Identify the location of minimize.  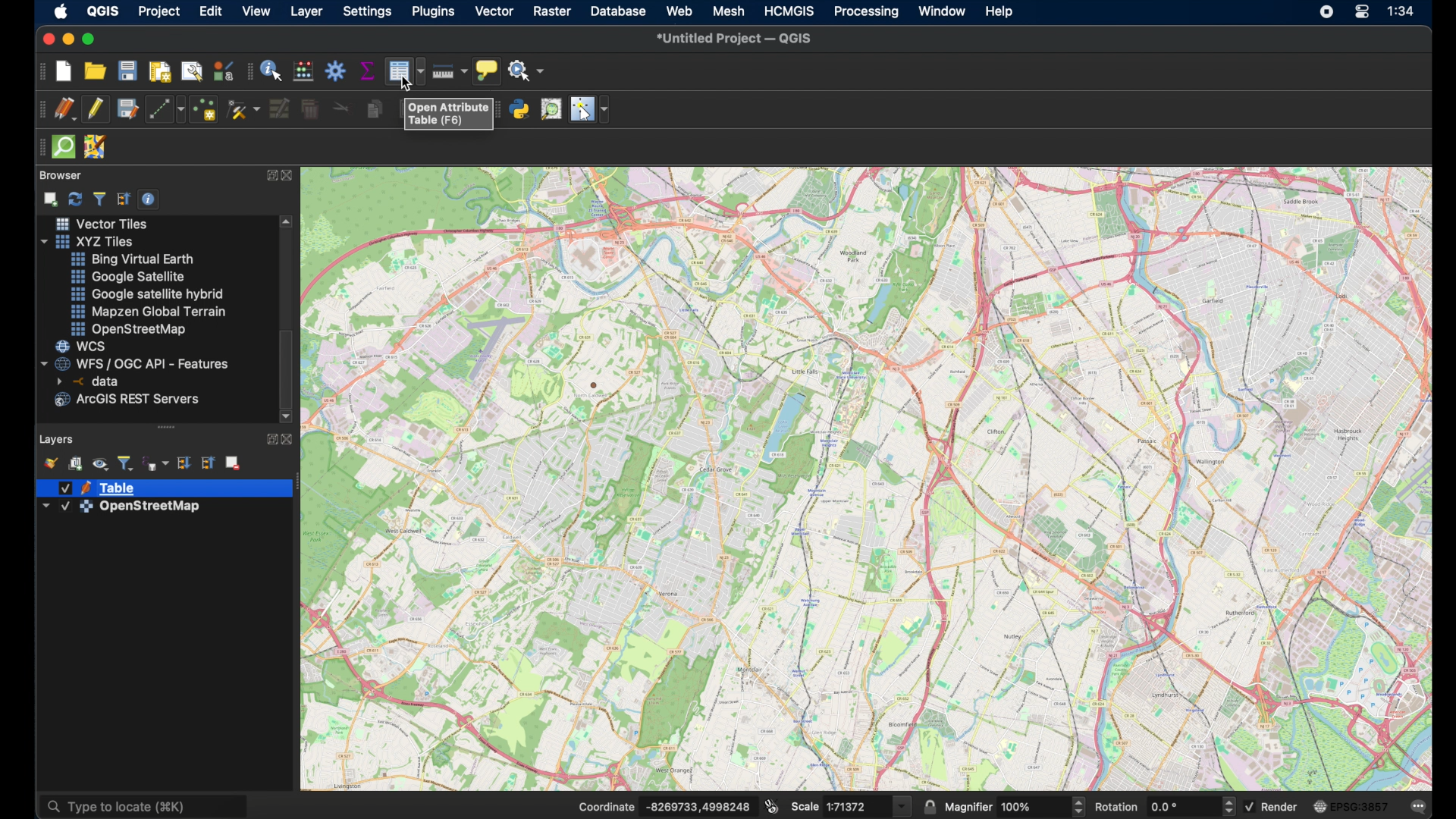
(67, 39).